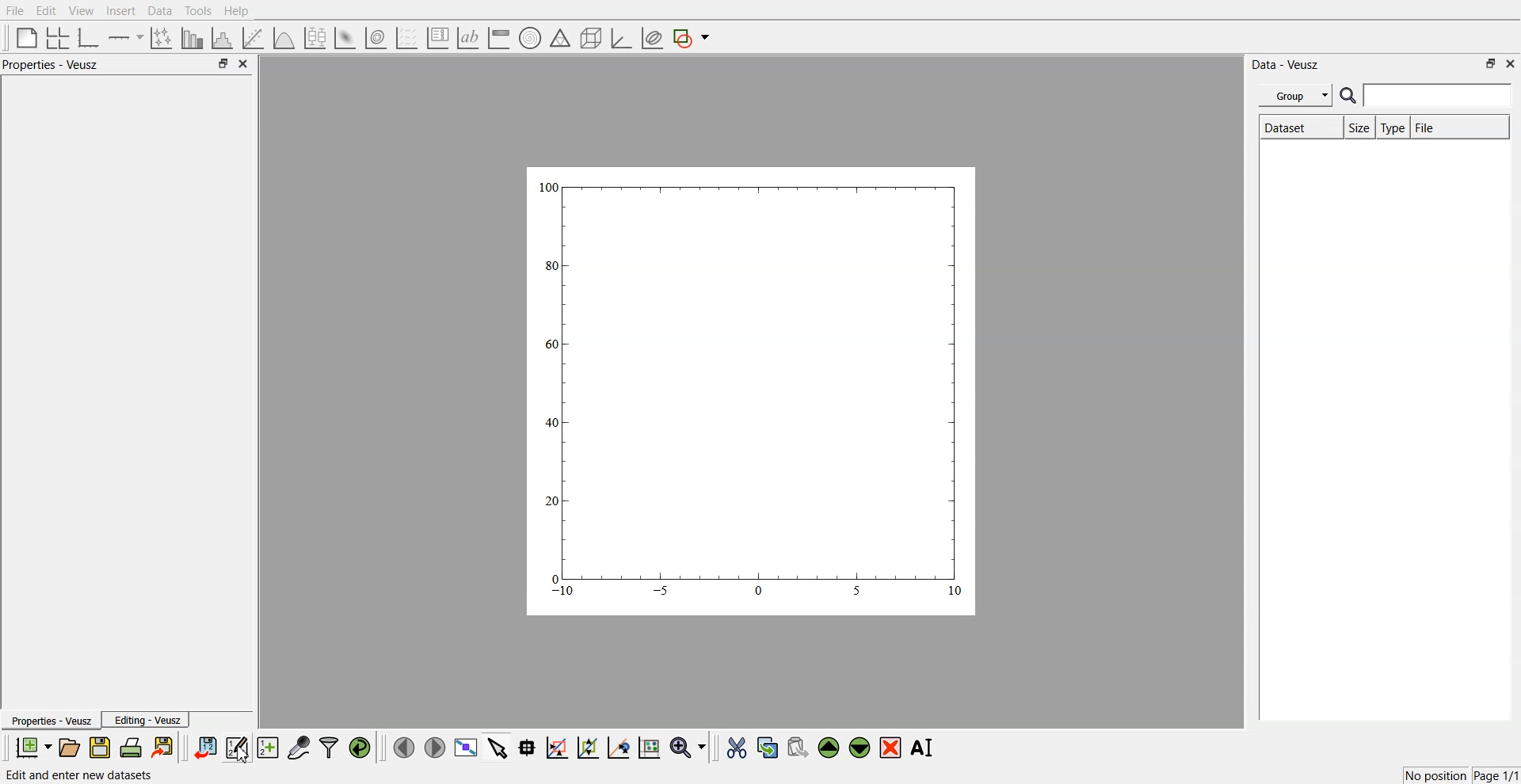  What do you see at coordinates (688, 748) in the screenshot?
I see `zoom funtions` at bounding box center [688, 748].